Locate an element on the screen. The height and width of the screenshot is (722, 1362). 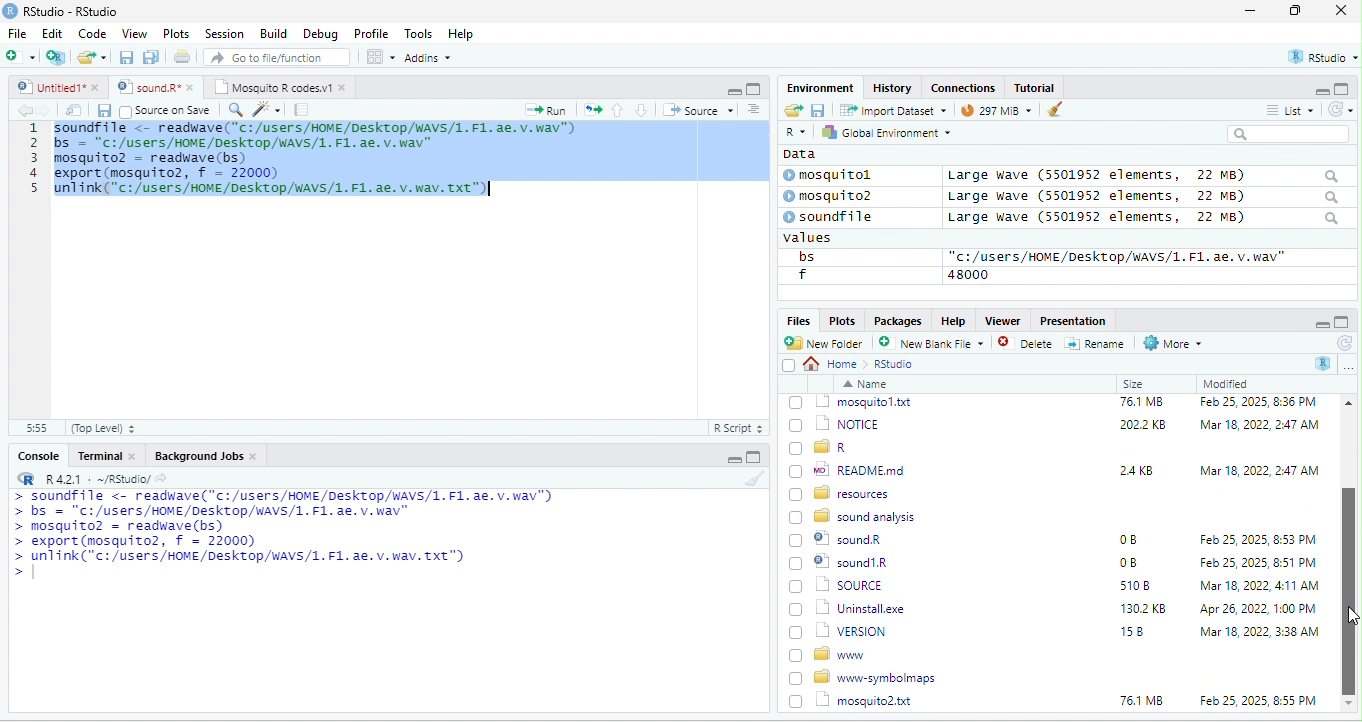
minimize is located at coordinates (1320, 323).